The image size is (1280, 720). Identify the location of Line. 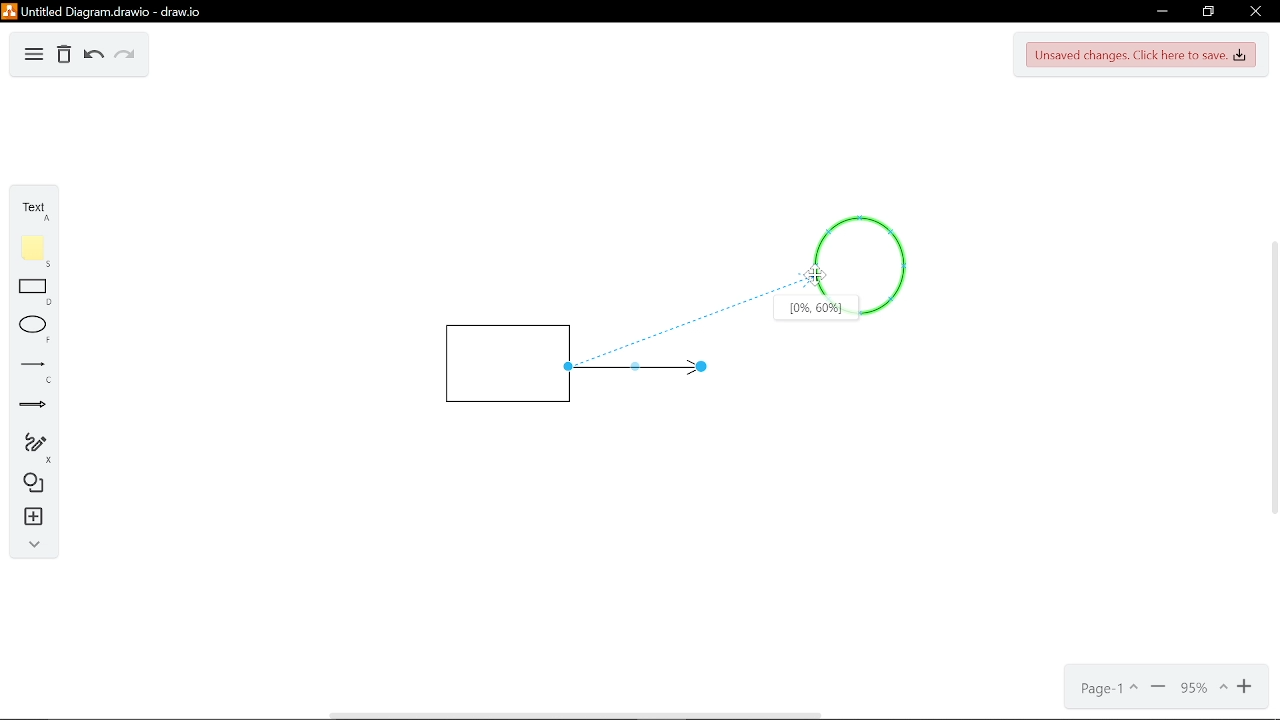
(689, 322).